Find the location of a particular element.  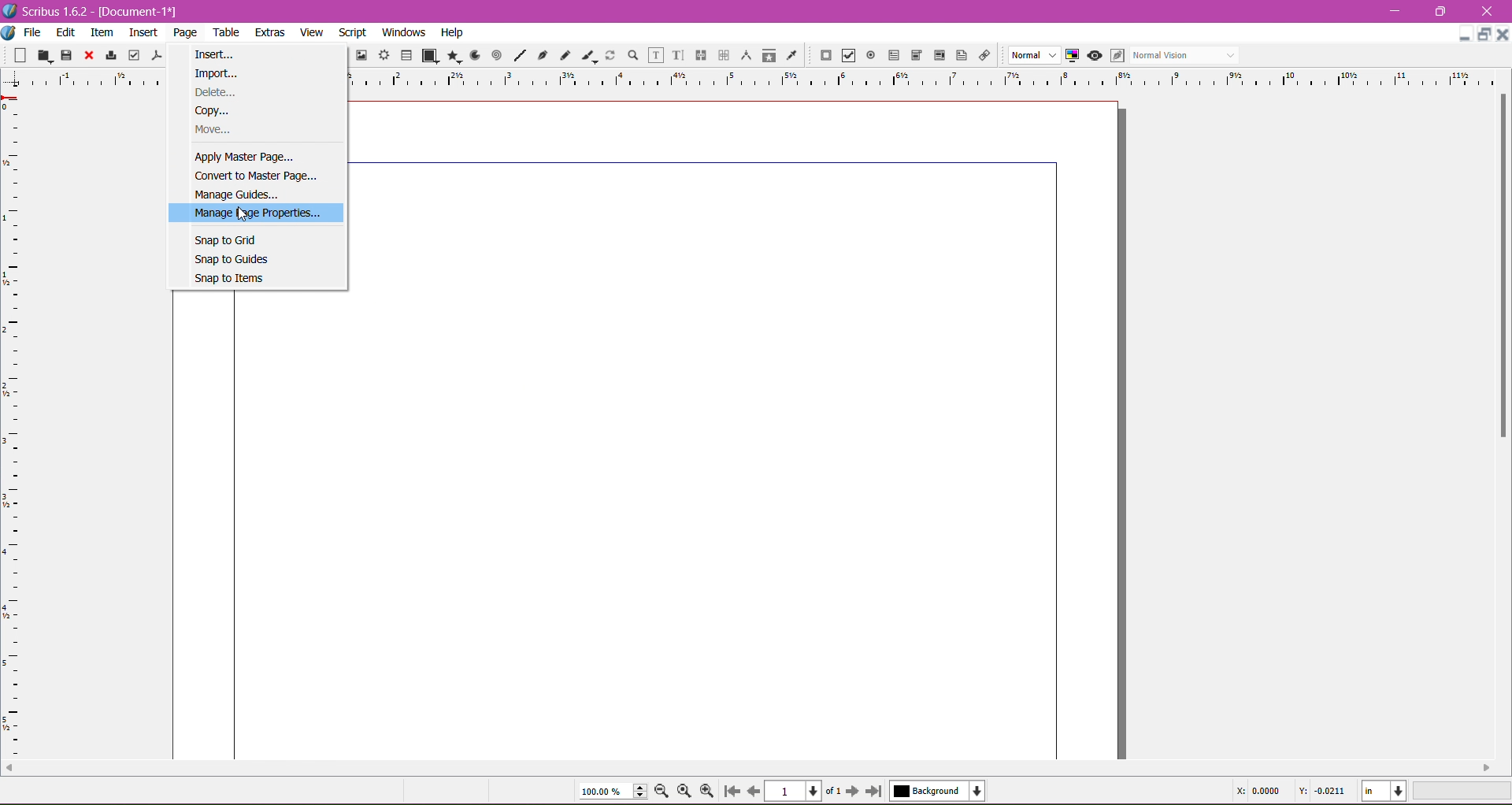

Calligraphic Line is located at coordinates (587, 55).